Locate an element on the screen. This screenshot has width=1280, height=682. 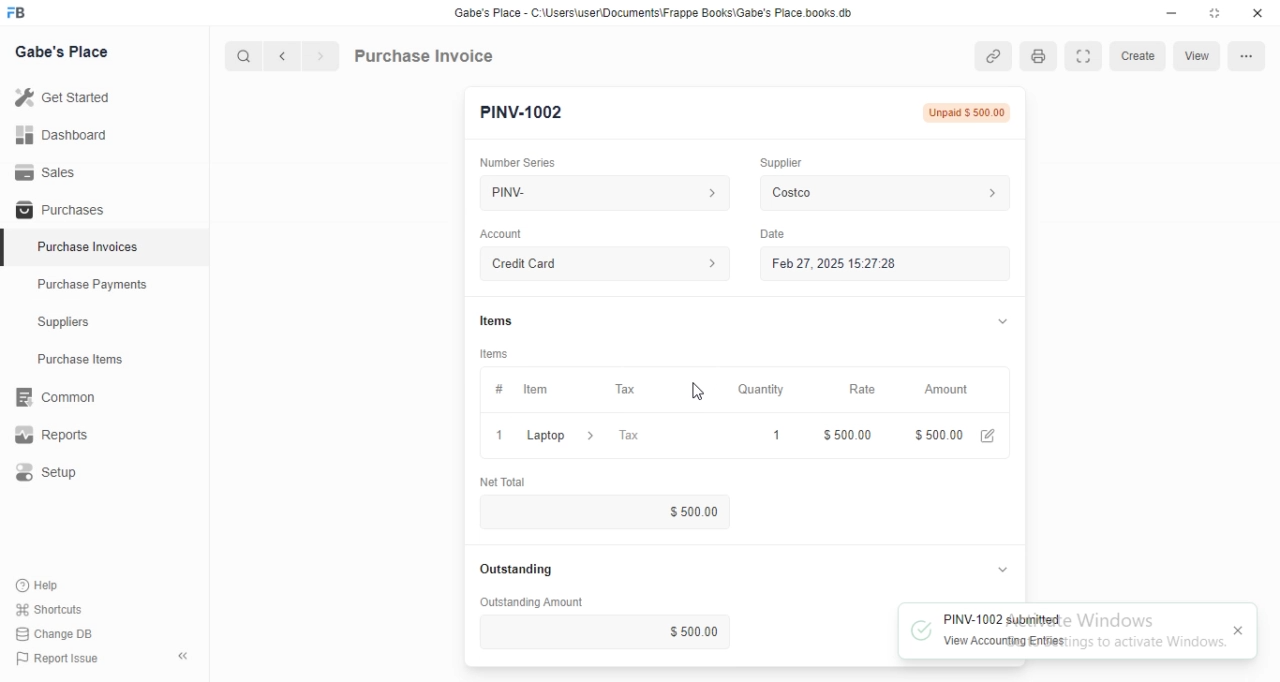
Collapse is located at coordinates (1003, 569).